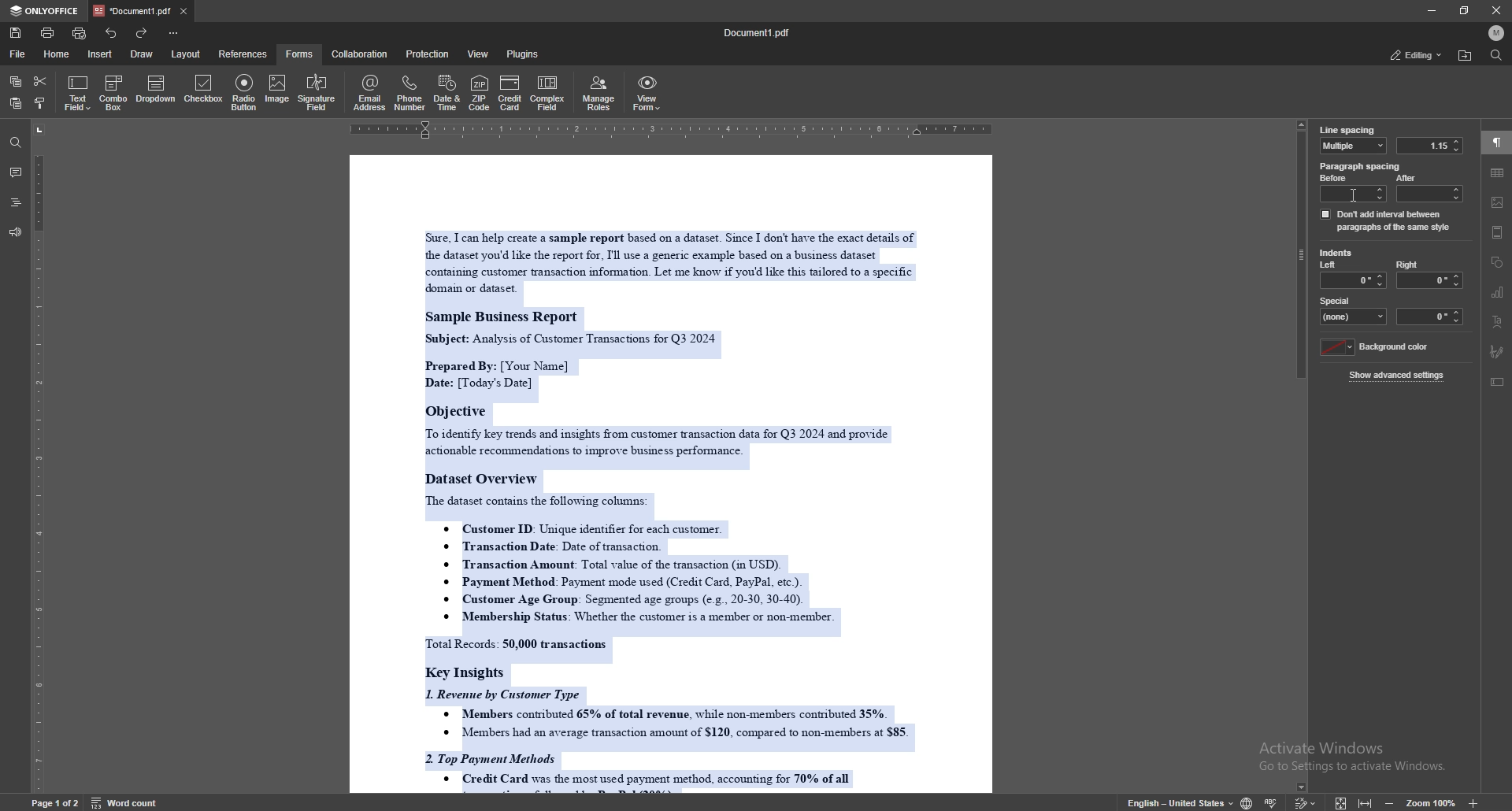 The width and height of the screenshot is (1512, 811). What do you see at coordinates (479, 92) in the screenshot?
I see `zip code` at bounding box center [479, 92].